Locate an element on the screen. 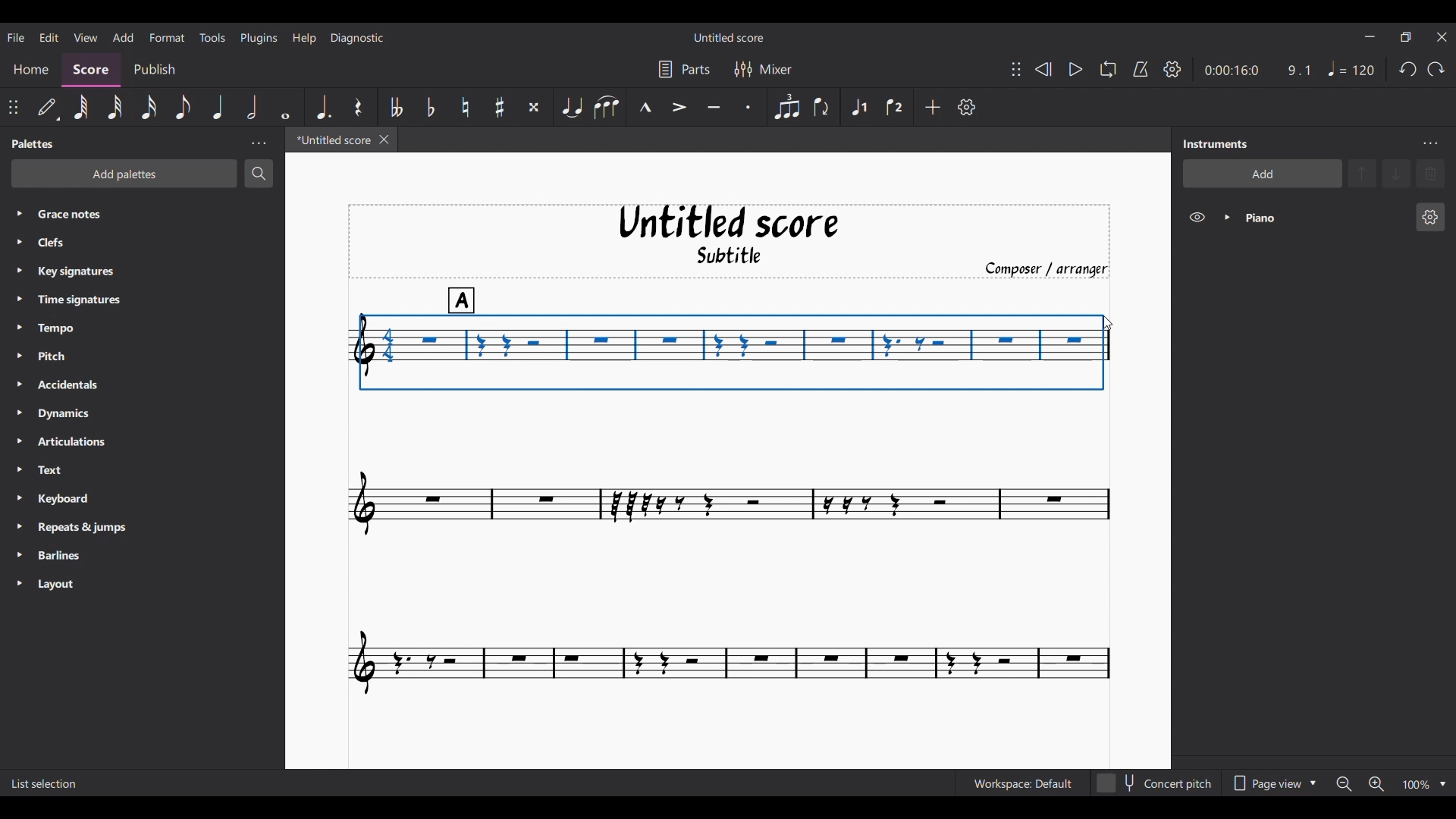  Current instrument is located at coordinates (1321, 218).